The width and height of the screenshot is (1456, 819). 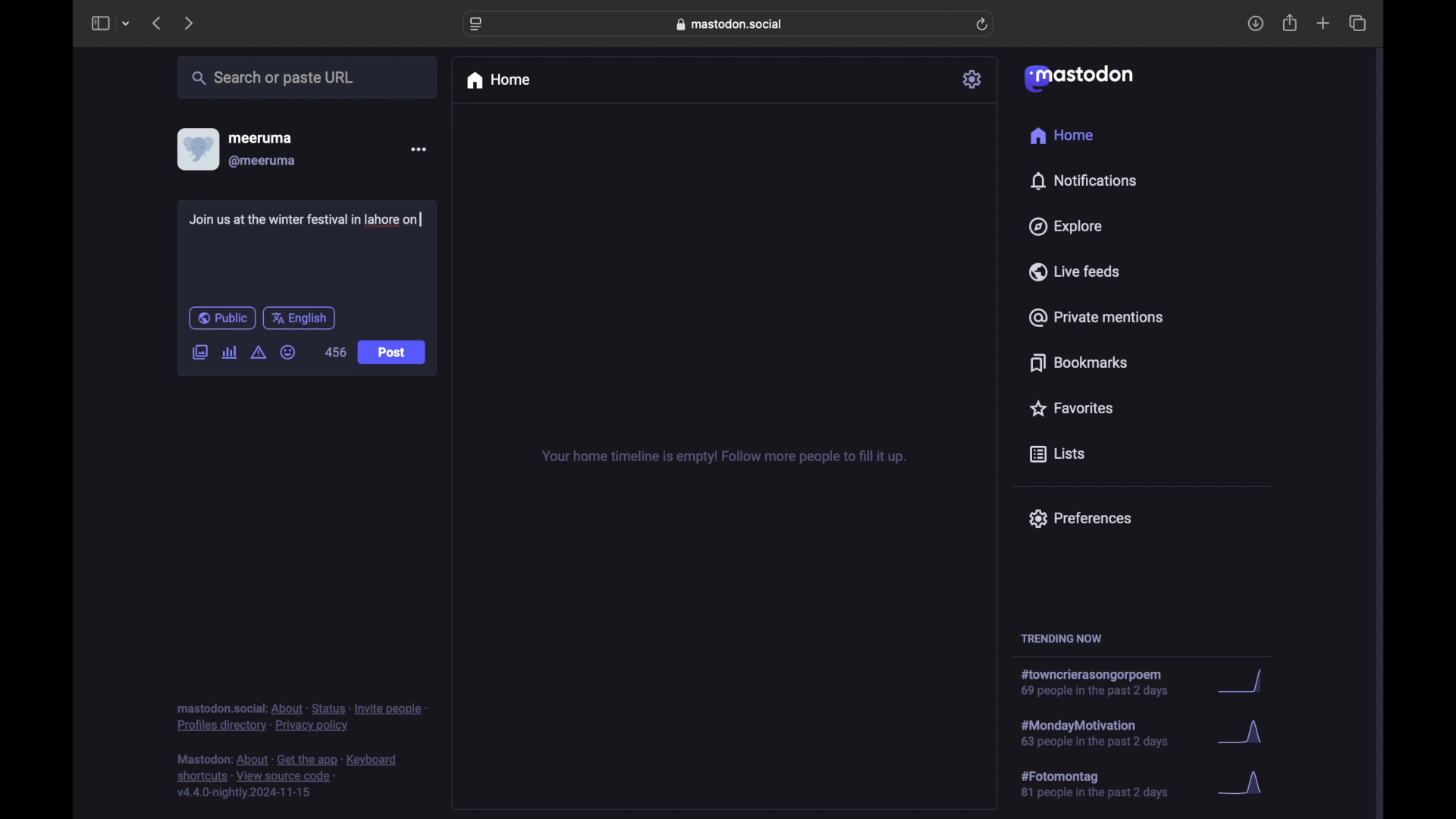 I want to click on new tab, so click(x=1323, y=23).